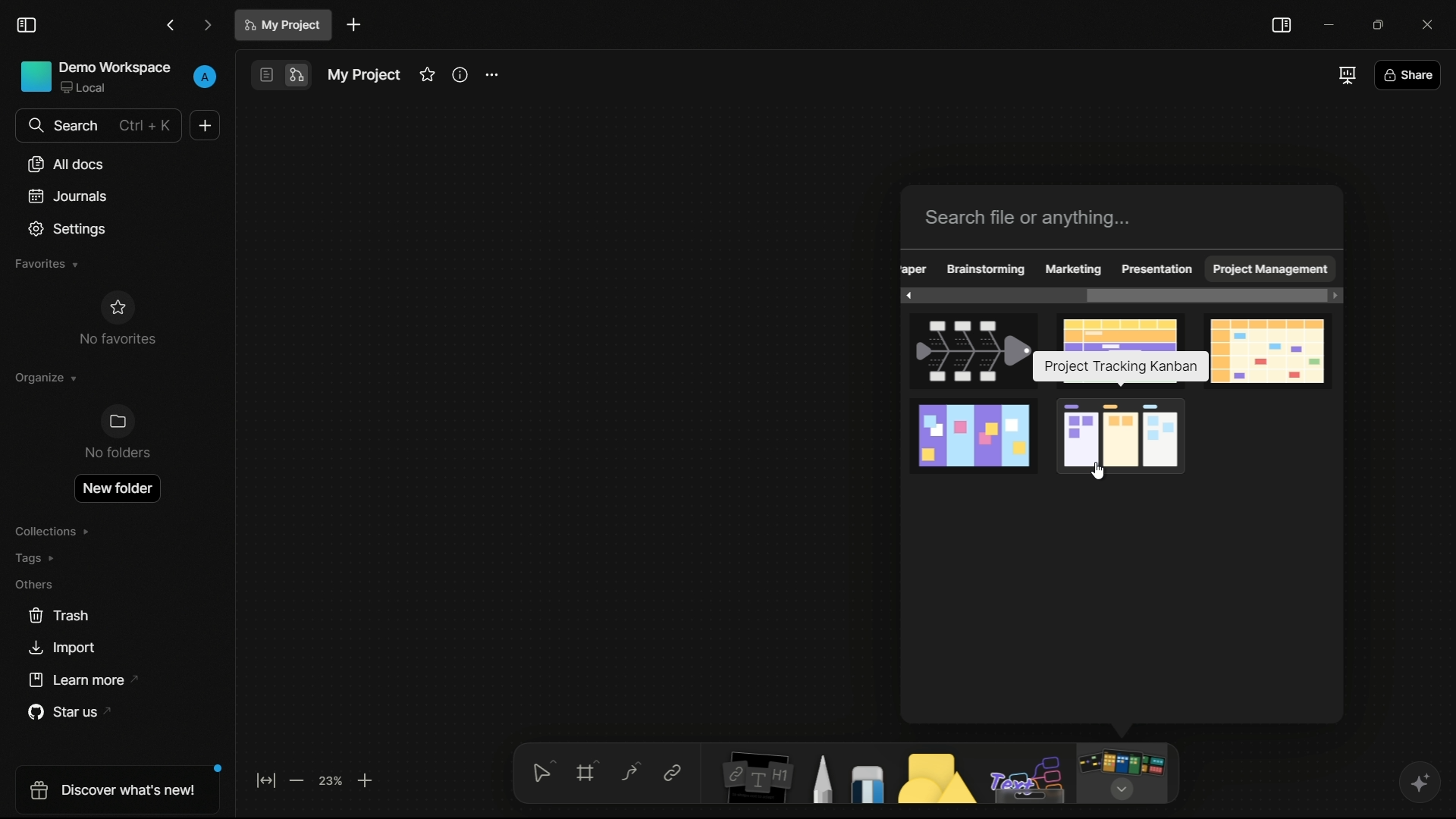  Describe the element at coordinates (973, 438) in the screenshot. I see `project planning template` at that location.